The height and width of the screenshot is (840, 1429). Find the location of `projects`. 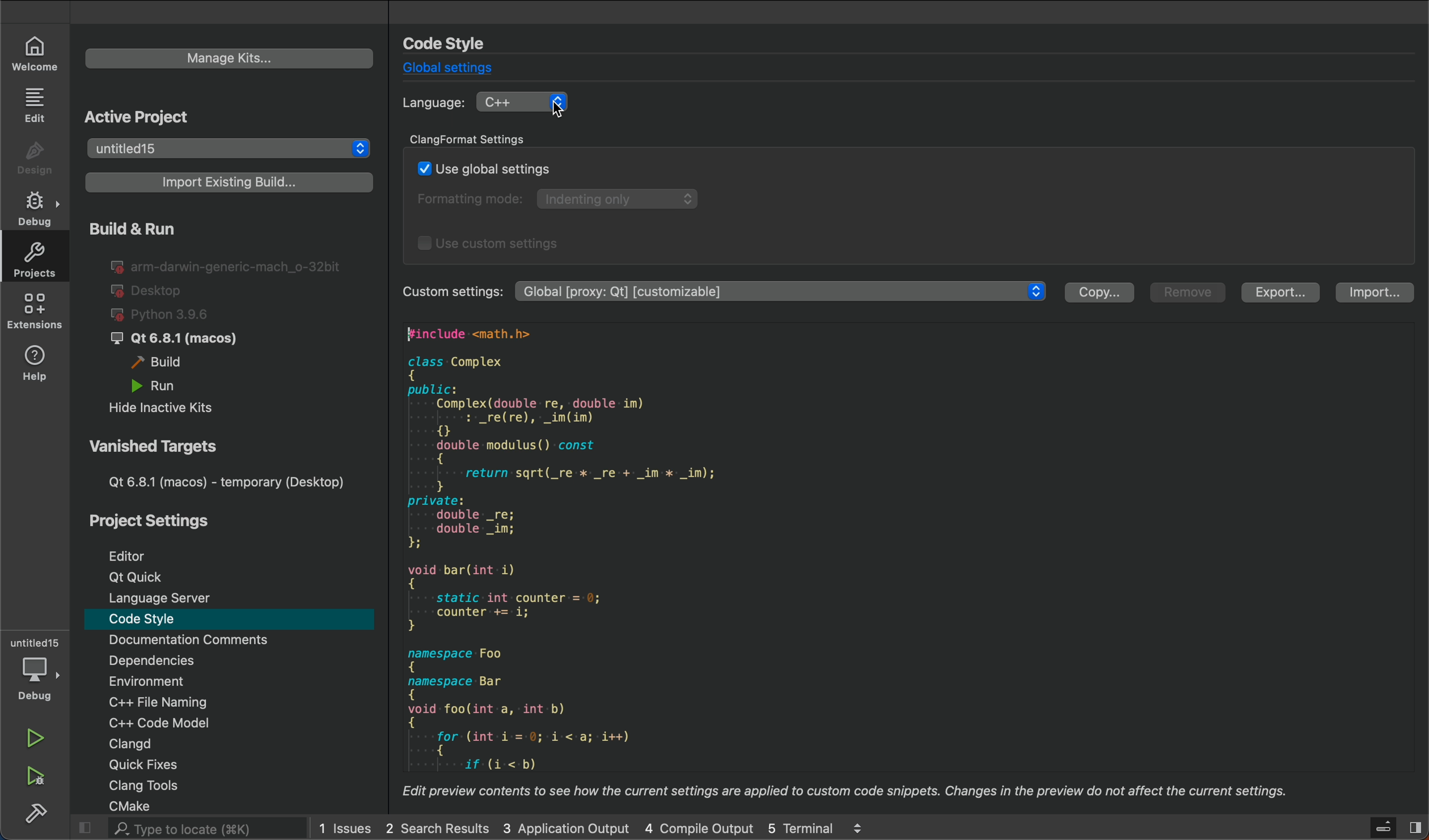

projects is located at coordinates (34, 258).